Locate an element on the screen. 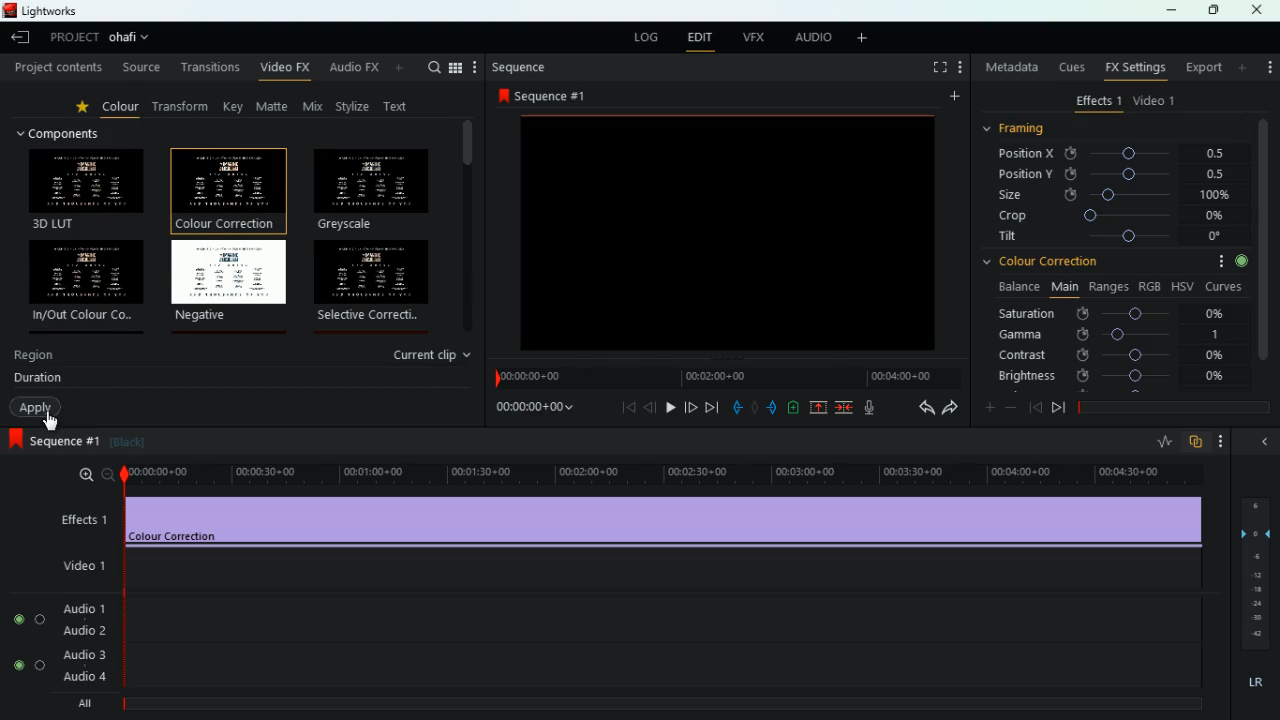  overlap is located at coordinates (1194, 442).